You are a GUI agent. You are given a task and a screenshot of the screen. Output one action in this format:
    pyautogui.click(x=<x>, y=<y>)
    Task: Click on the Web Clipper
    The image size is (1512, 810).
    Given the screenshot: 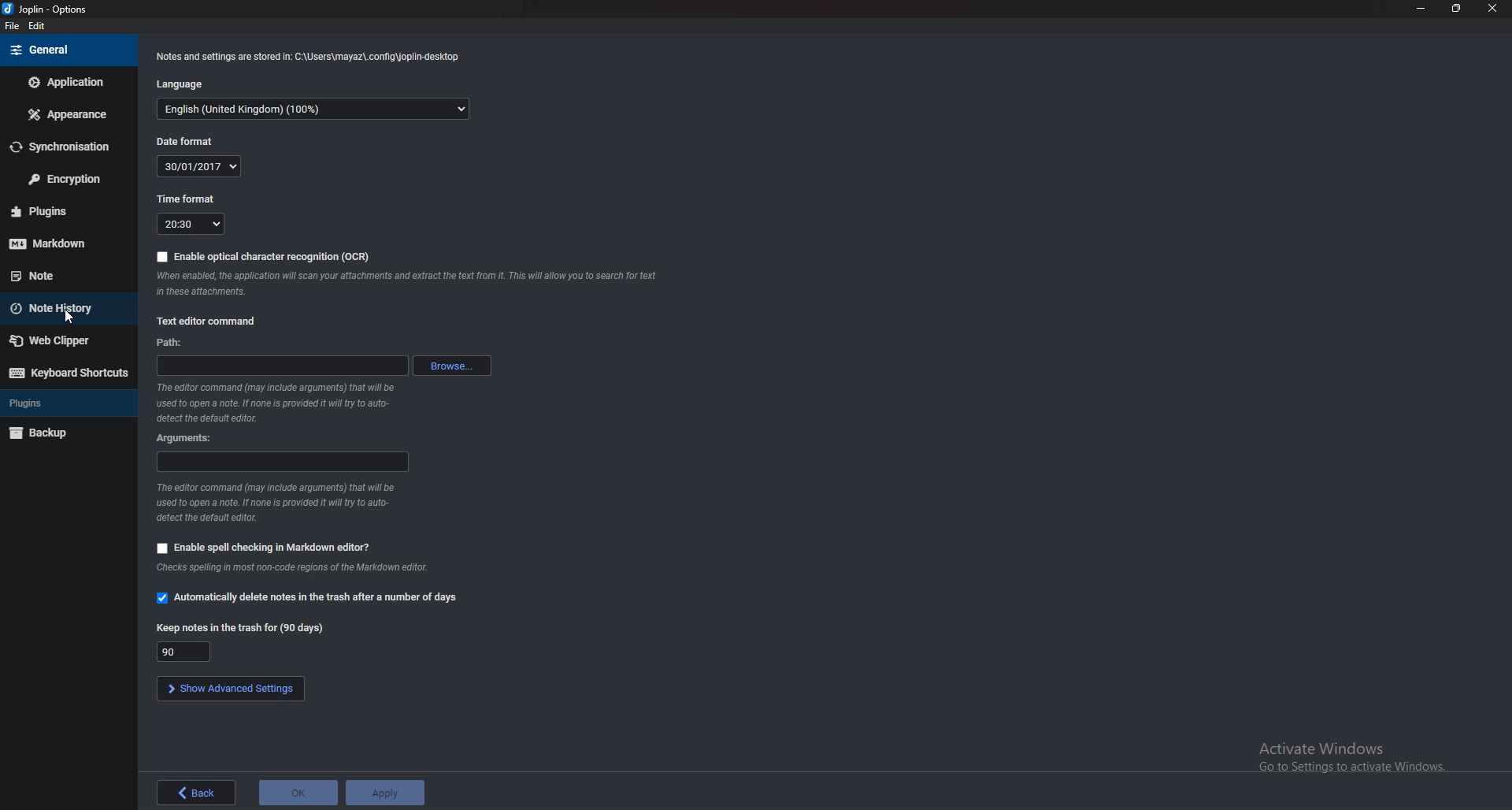 What is the action you would take?
    pyautogui.click(x=62, y=340)
    